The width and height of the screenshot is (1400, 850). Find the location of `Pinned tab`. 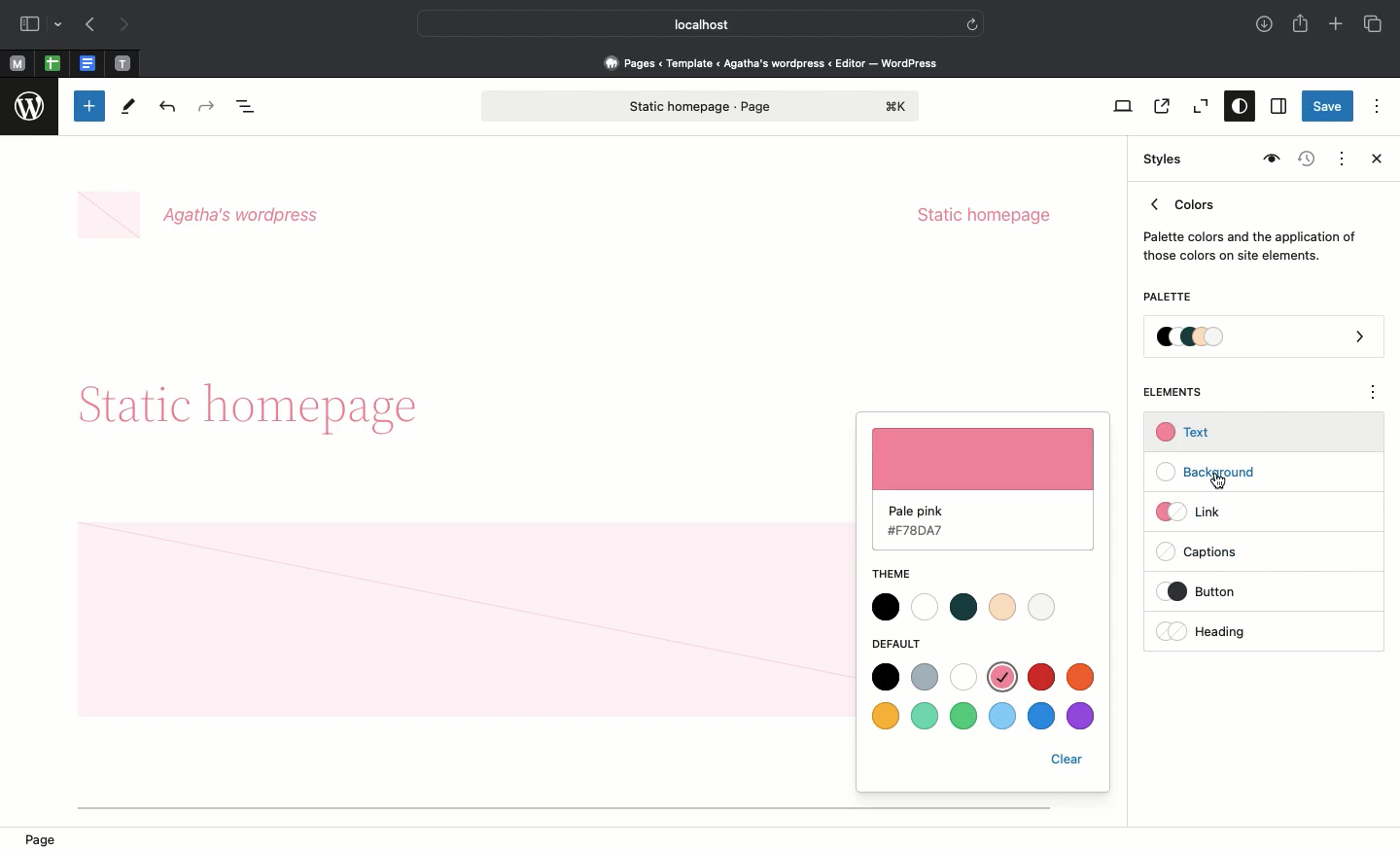

Pinned tab is located at coordinates (52, 64).